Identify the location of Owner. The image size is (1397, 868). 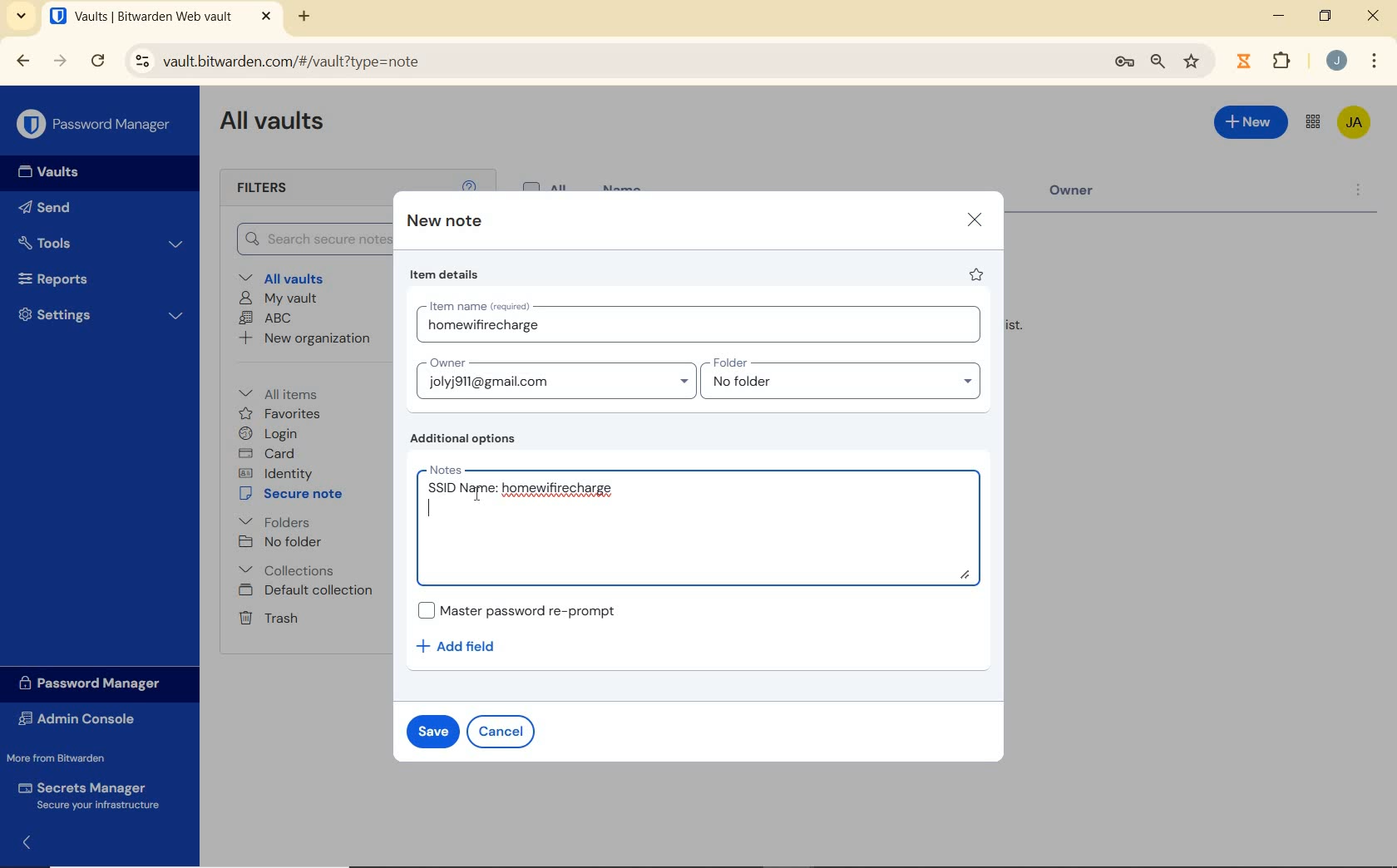
(1085, 195).